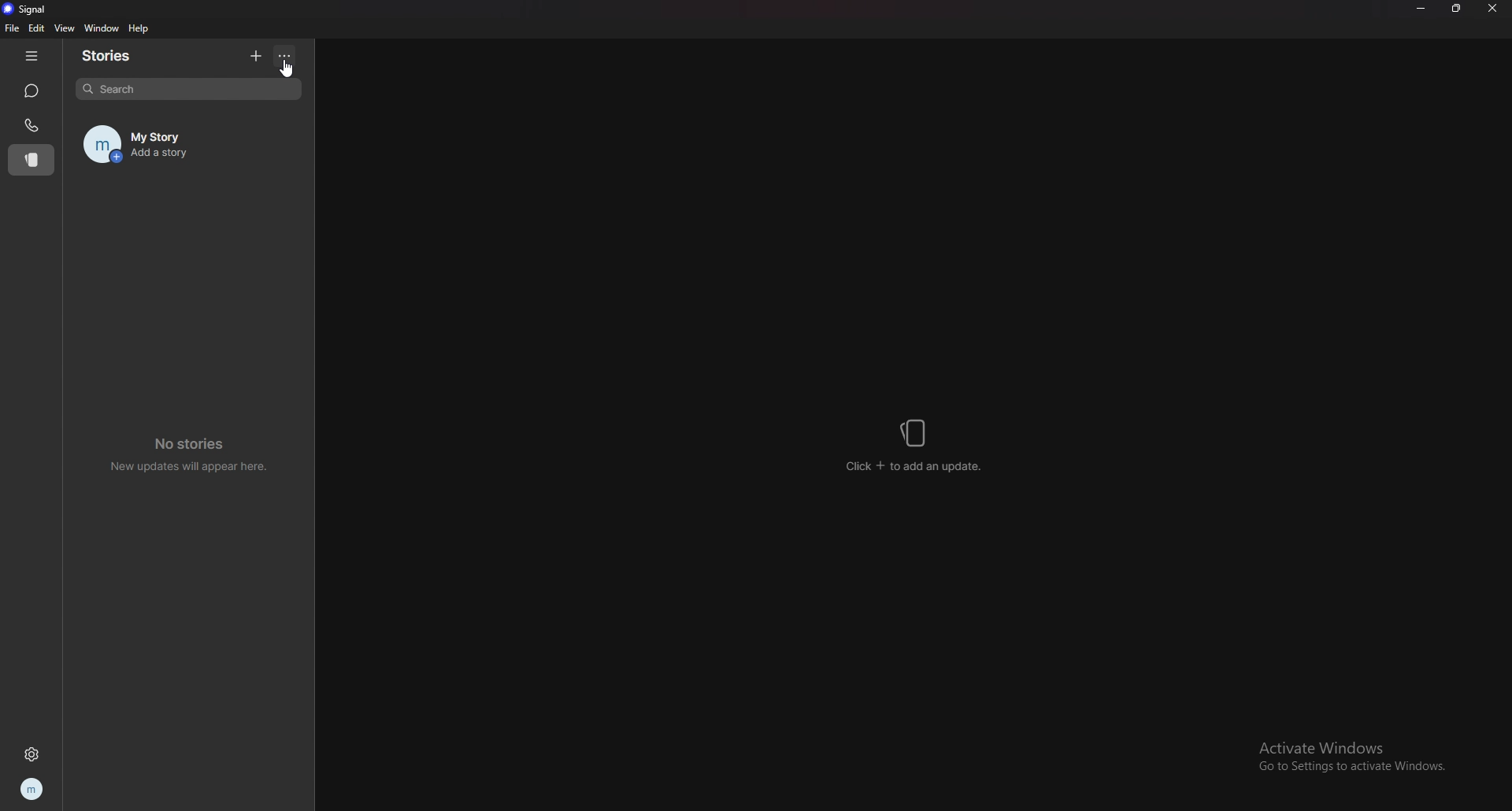 This screenshot has height=811, width=1512. Describe the element at coordinates (28, 9) in the screenshot. I see `signal` at that location.